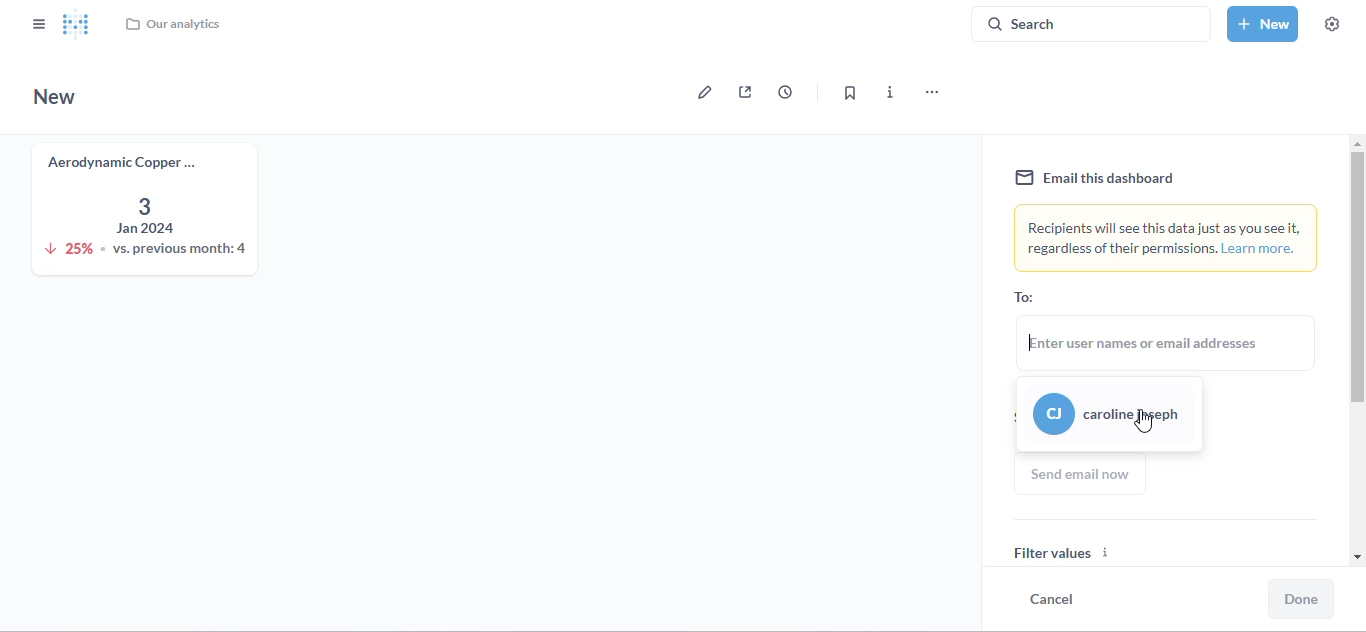 This screenshot has width=1366, height=632. Describe the element at coordinates (700, 92) in the screenshot. I see `edit dashboard` at that location.